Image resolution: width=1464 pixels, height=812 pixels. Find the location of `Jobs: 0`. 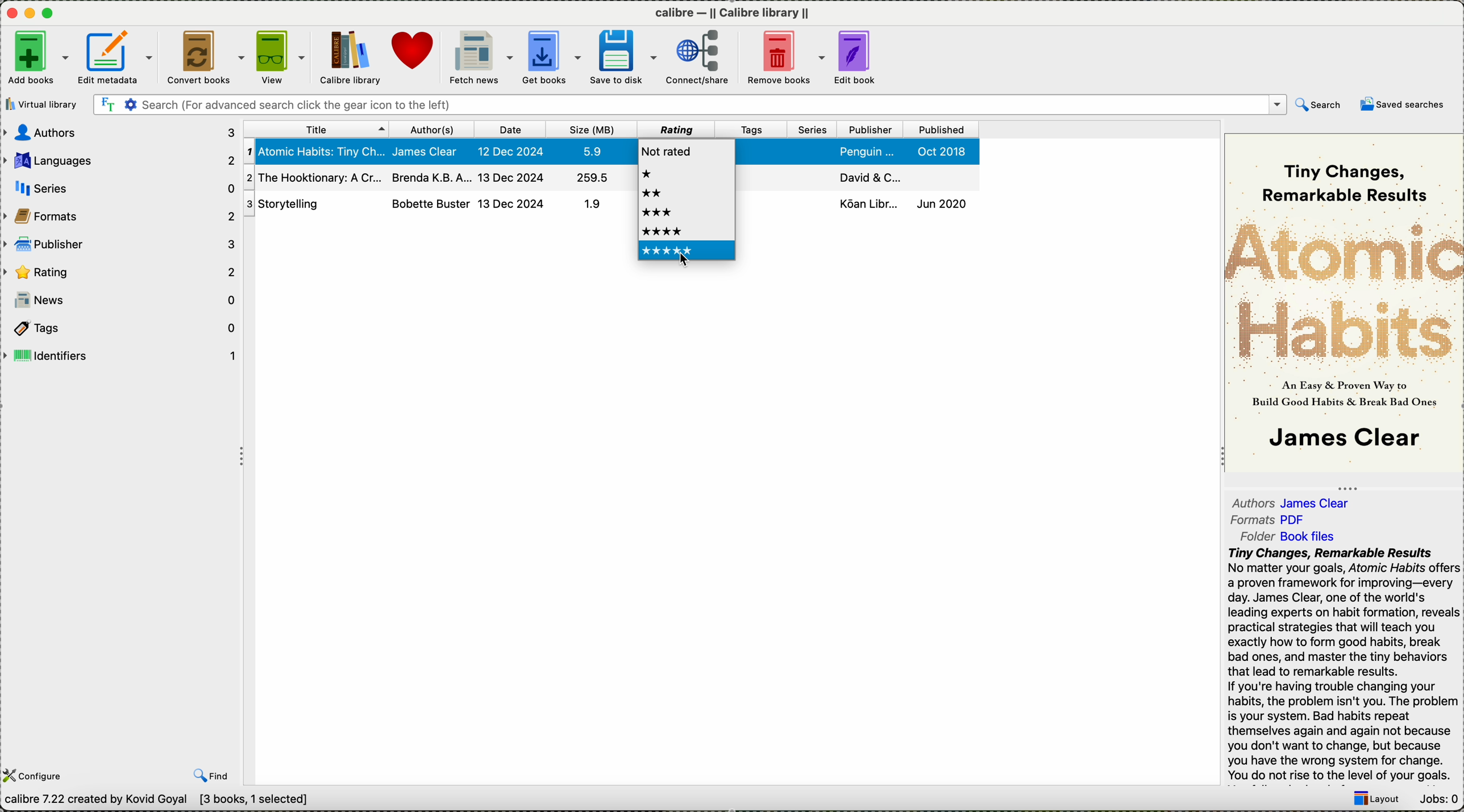

Jobs: 0 is located at coordinates (1437, 799).